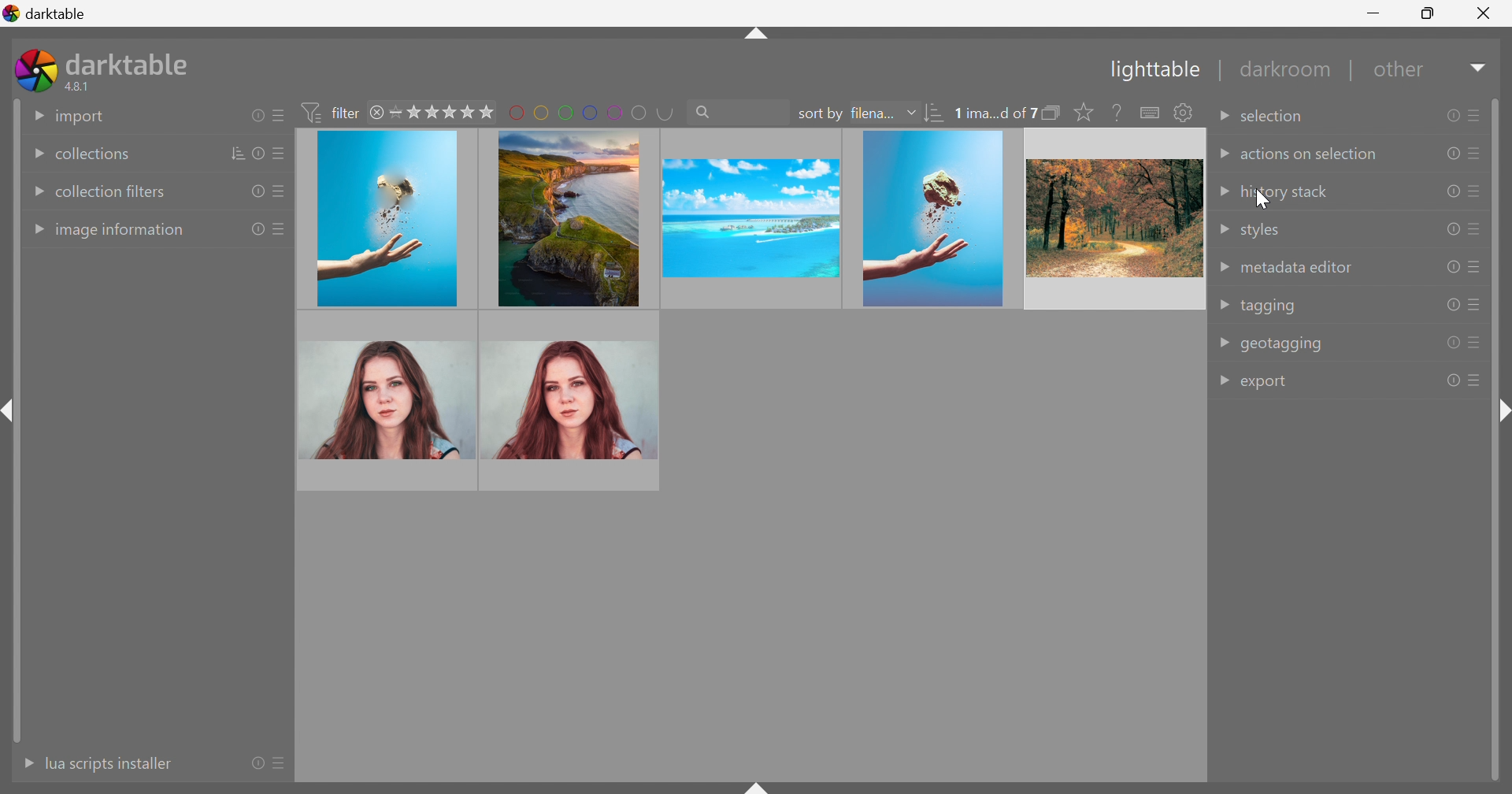 The height and width of the screenshot is (794, 1512). I want to click on Drop Down, so click(1222, 305).